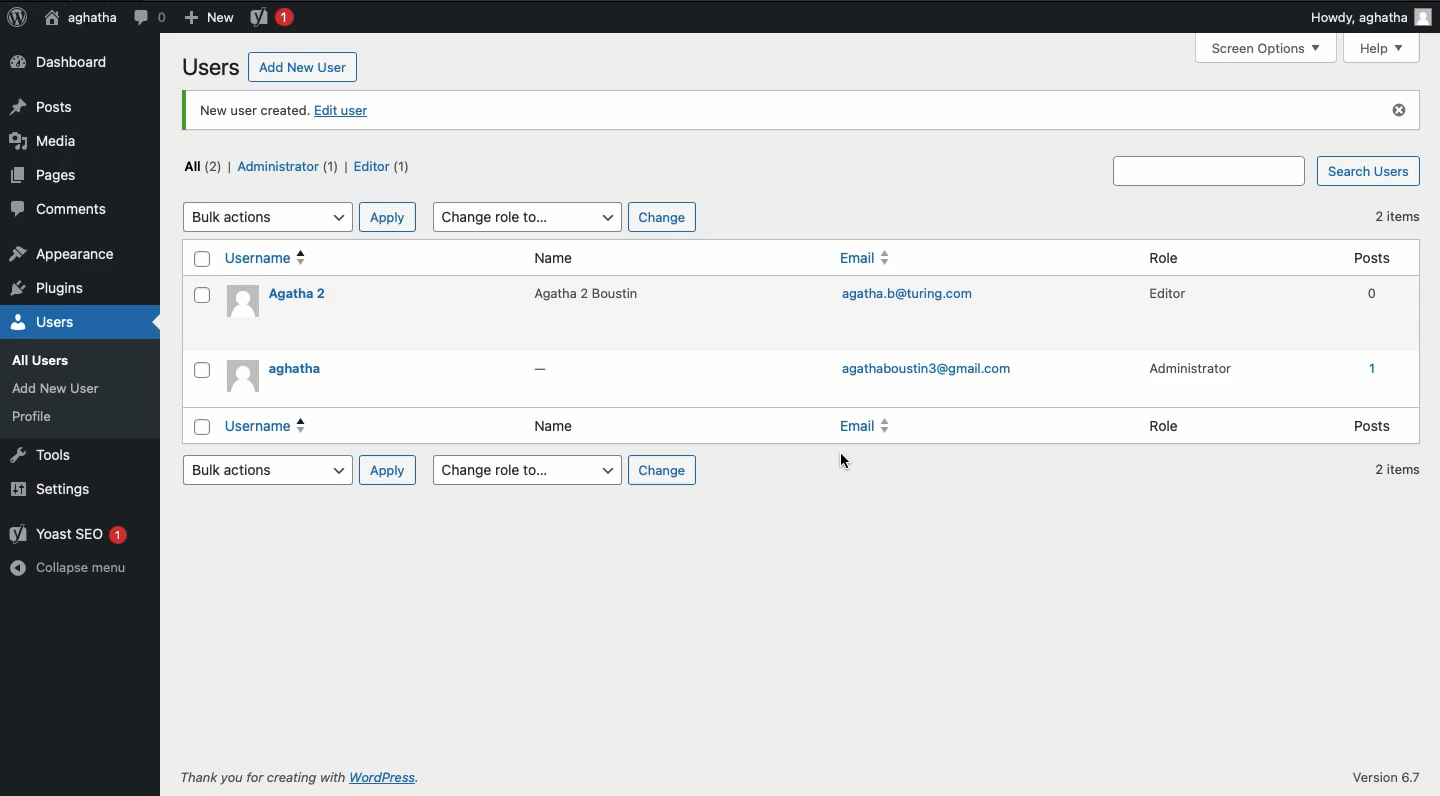  I want to click on Posts, so click(1375, 425).